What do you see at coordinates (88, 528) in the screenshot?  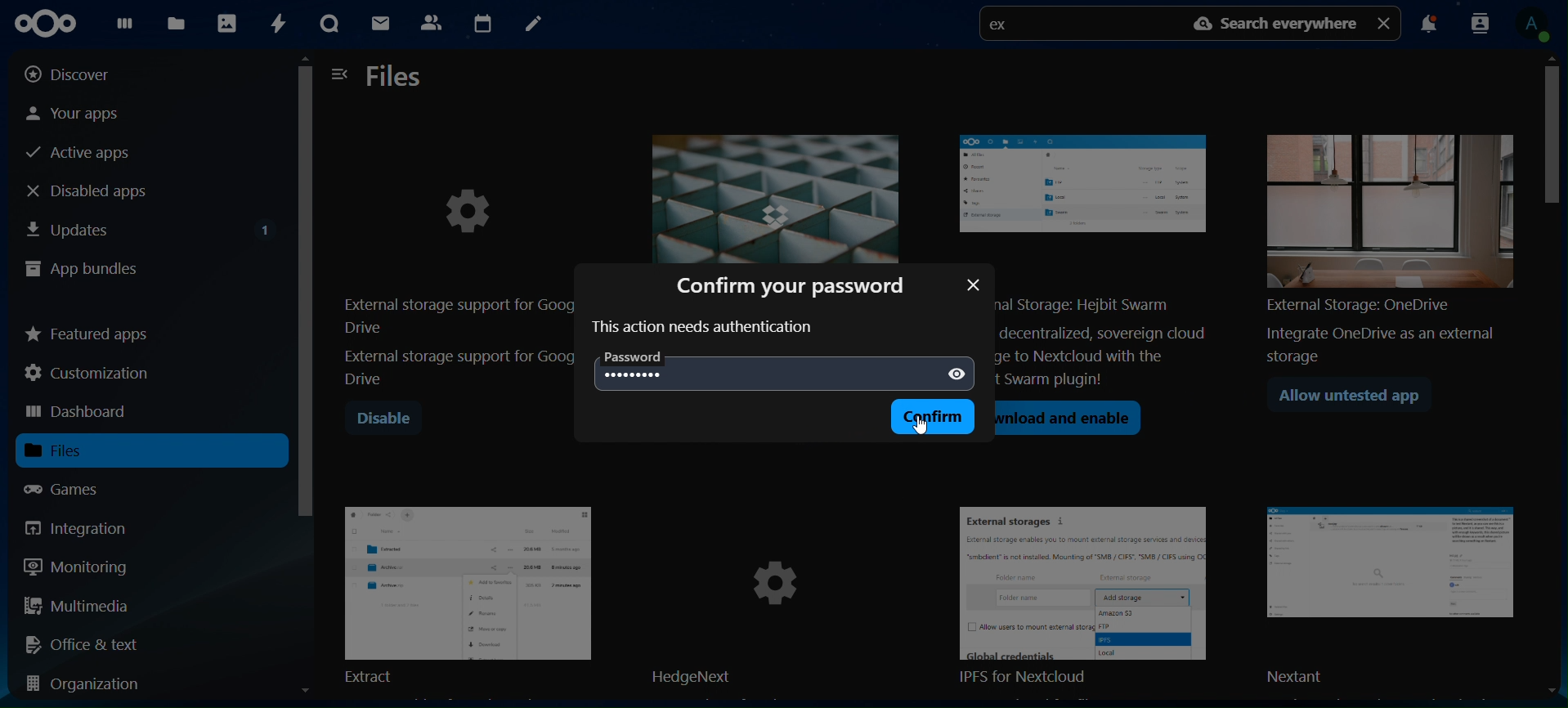 I see `integration` at bounding box center [88, 528].